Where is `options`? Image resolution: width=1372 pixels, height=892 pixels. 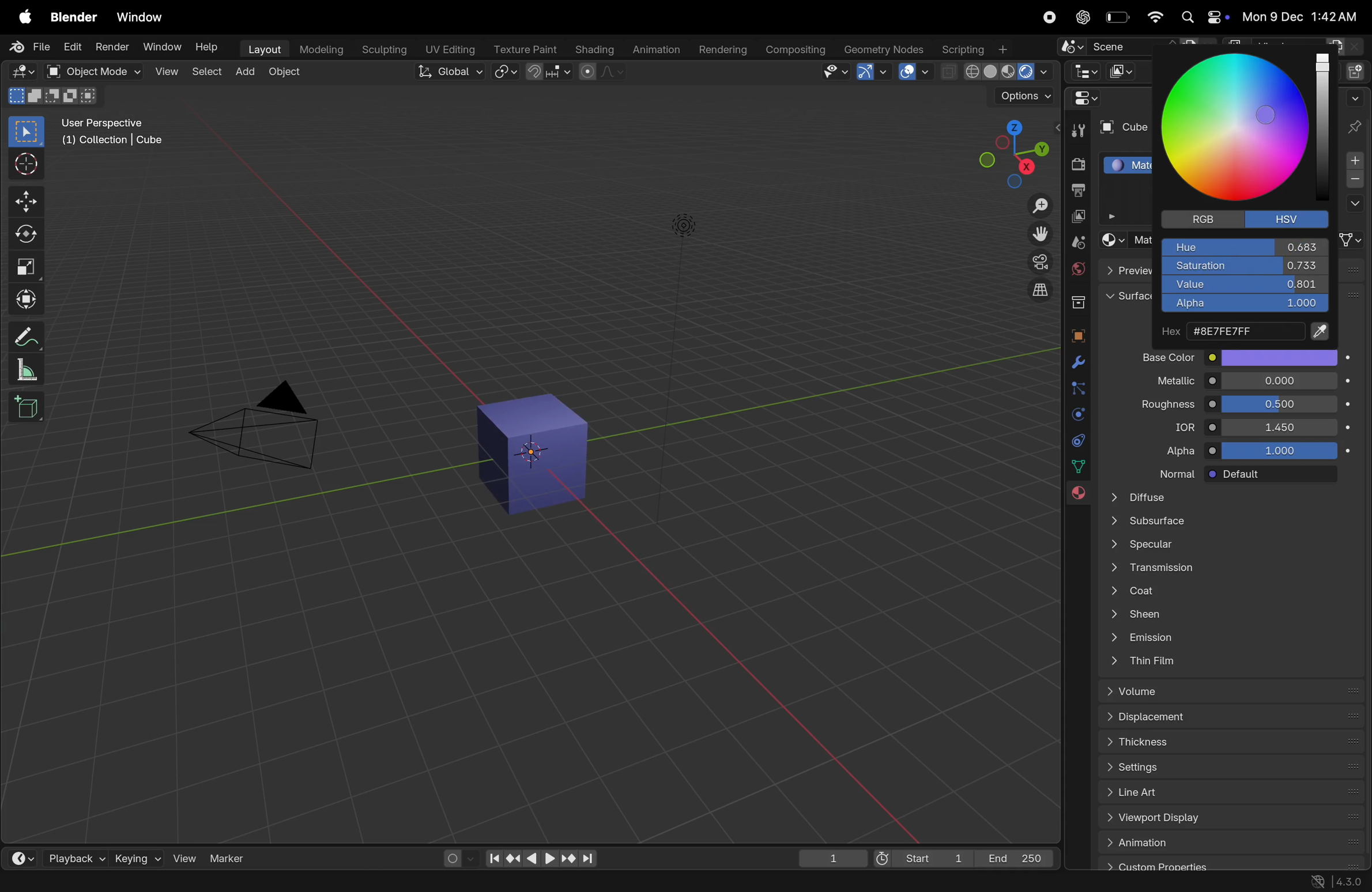 options is located at coordinates (1023, 97).